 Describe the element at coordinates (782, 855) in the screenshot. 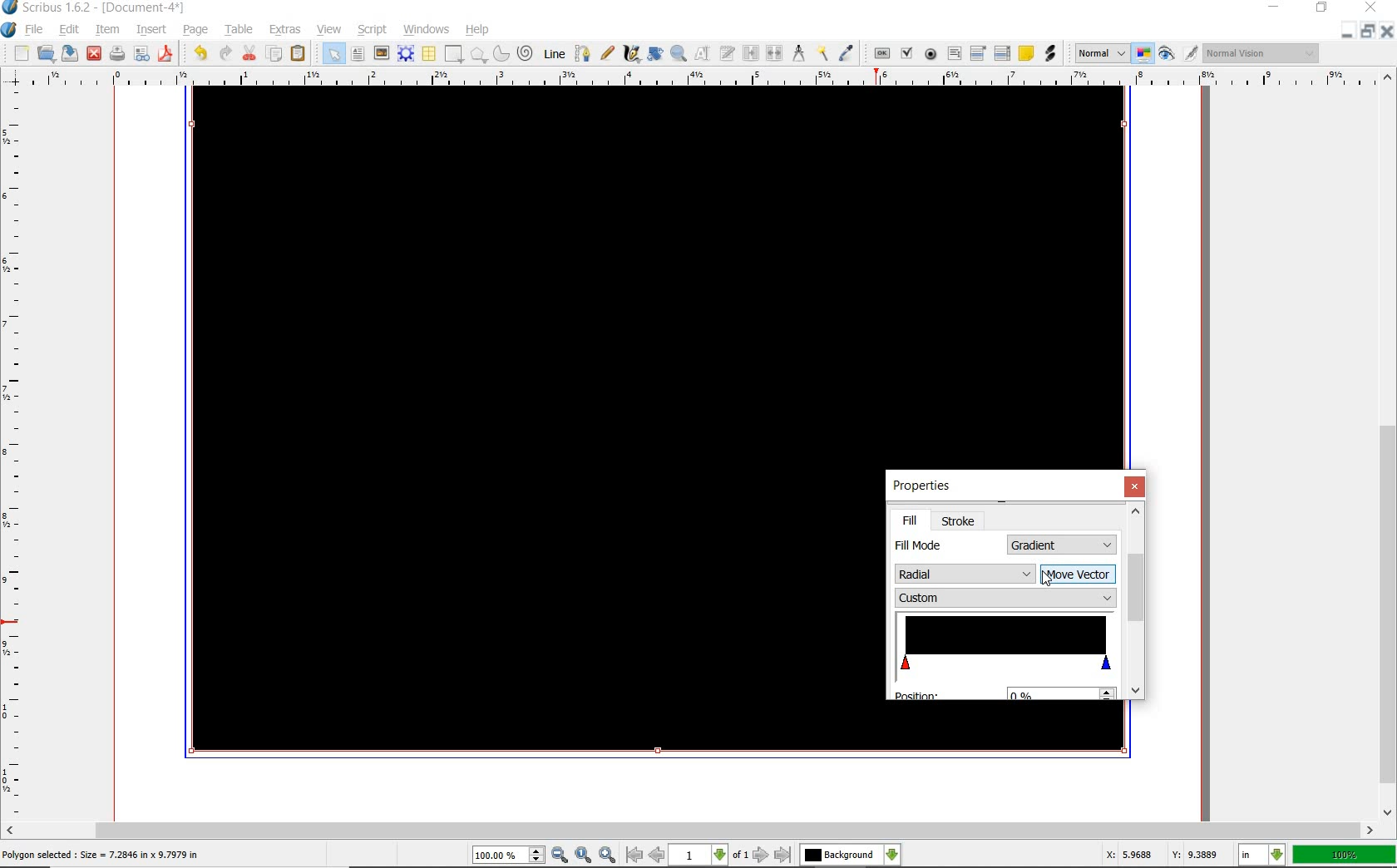

I see `go to last page` at that location.